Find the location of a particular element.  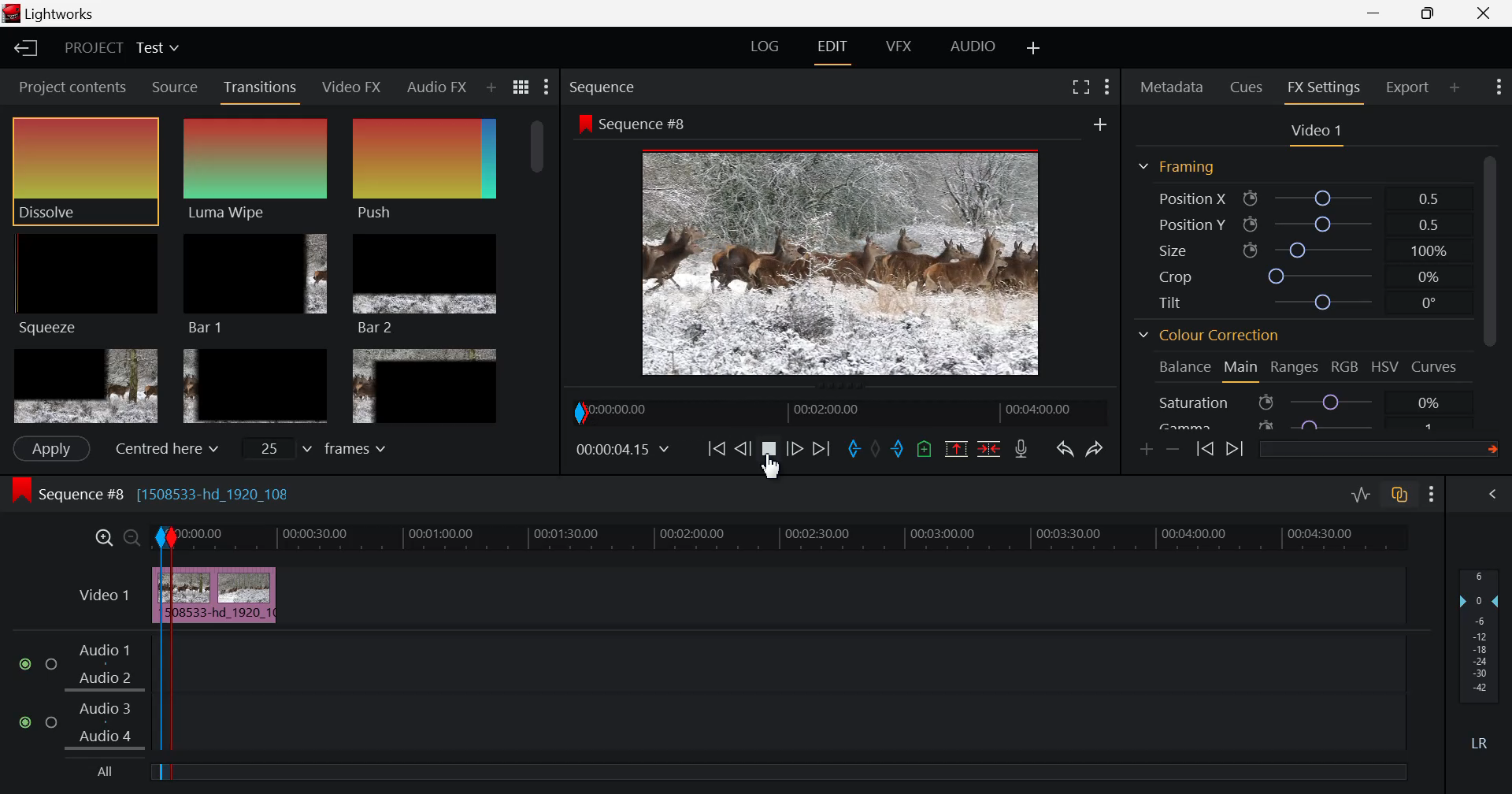

Lightworks is located at coordinates (56, 14).